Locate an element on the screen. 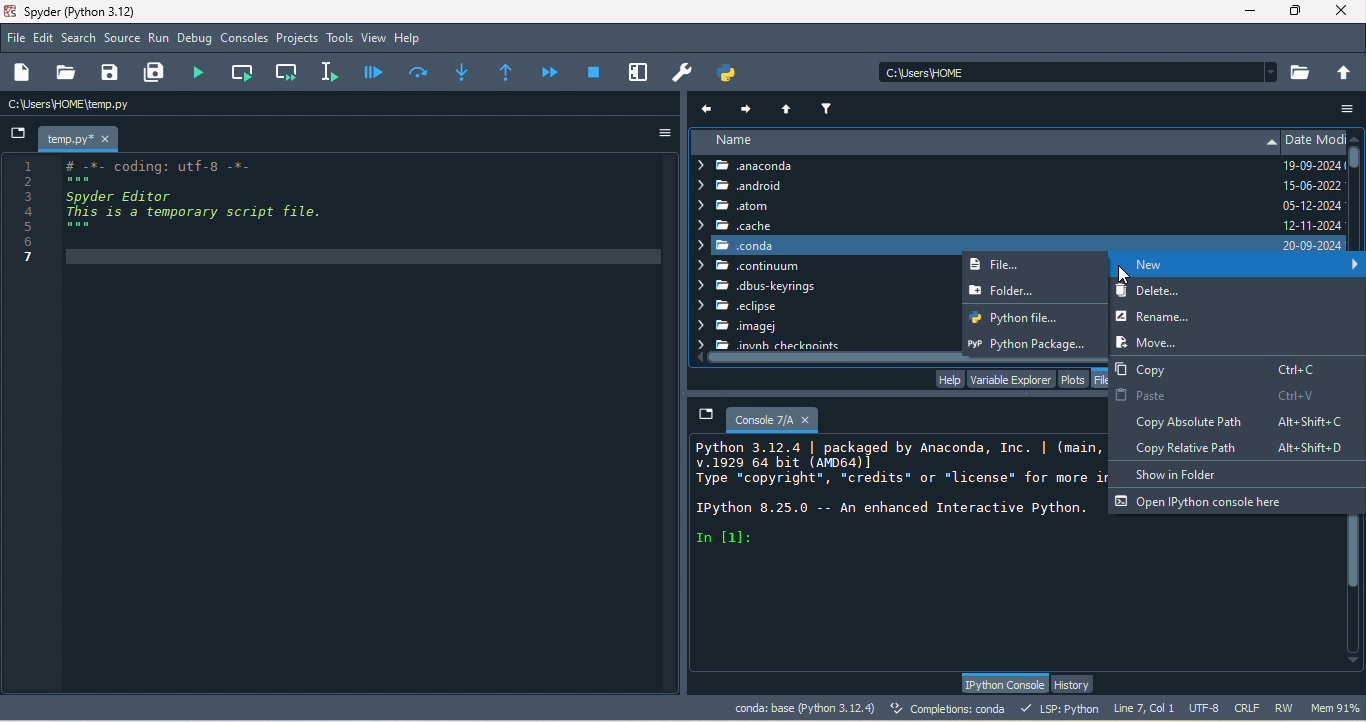 This screenshot has width=1366, height=722. browse is located at coordinates (1302, 72).